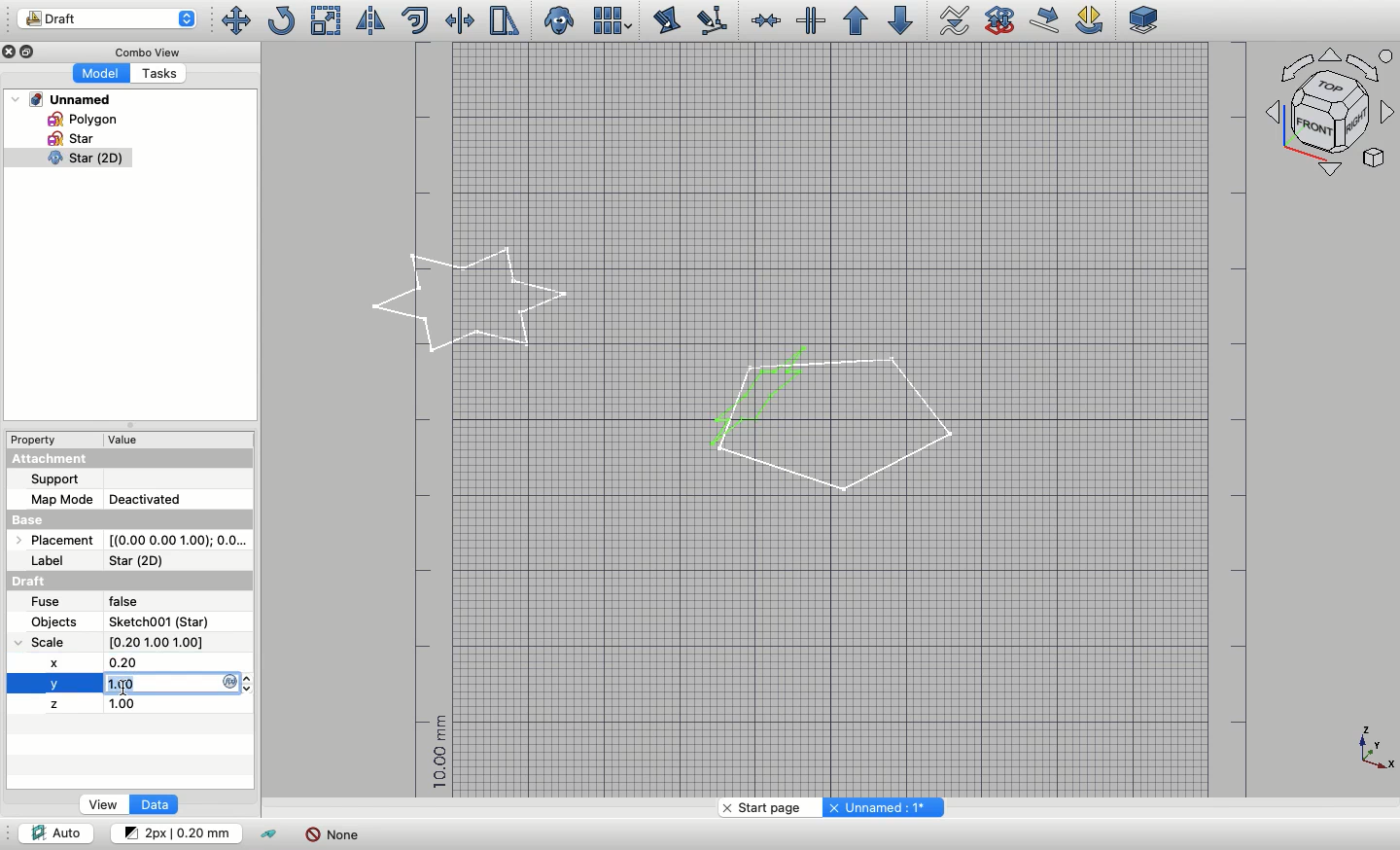 This screenshot has width=1400, height=850. What do you see at coordinates (47, 602) in the screenshot?
I see `Fuse` at bounding box center [47, 602].